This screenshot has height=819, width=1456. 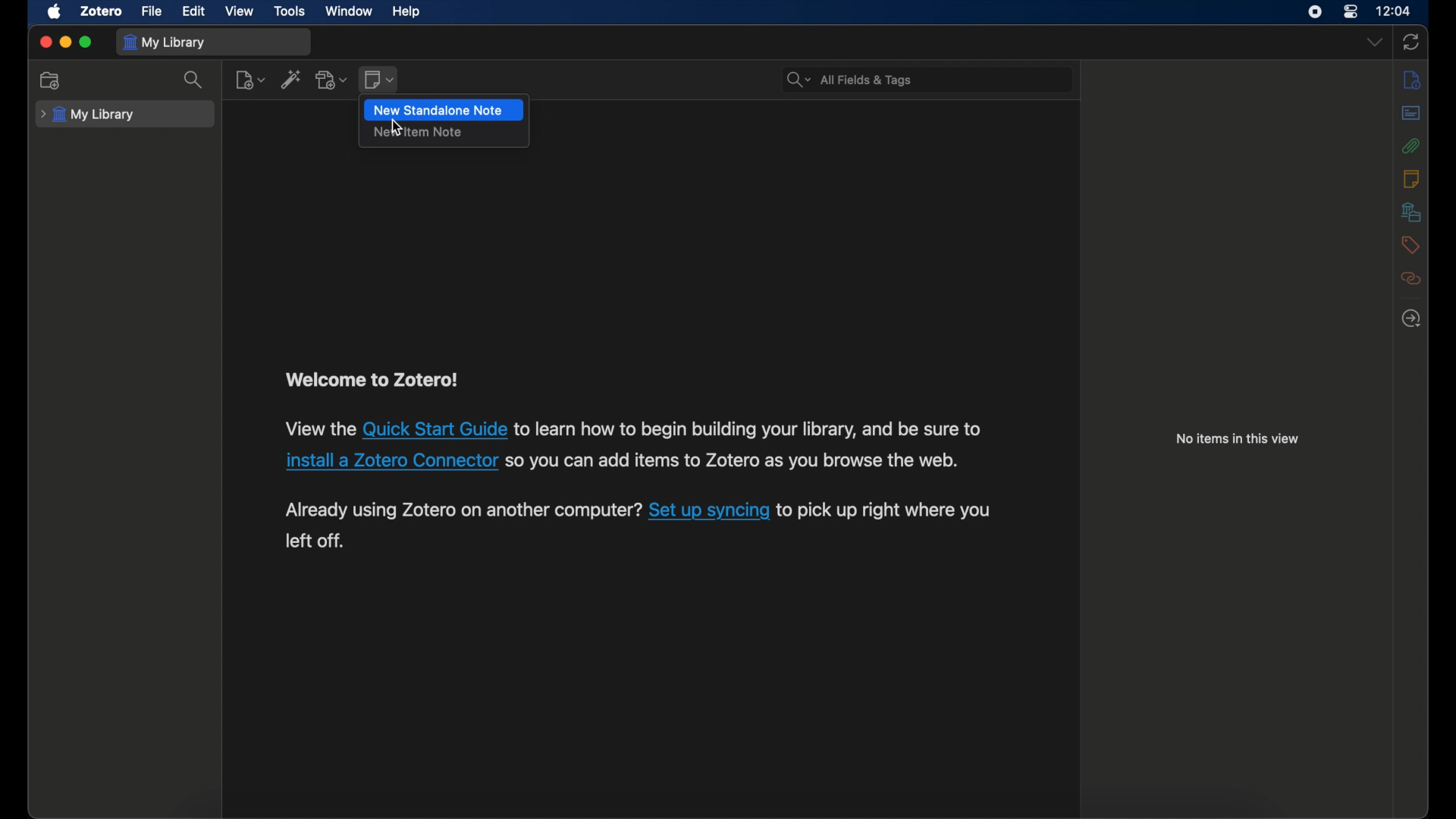 I want to click on tools, so click(x=290, y=11).